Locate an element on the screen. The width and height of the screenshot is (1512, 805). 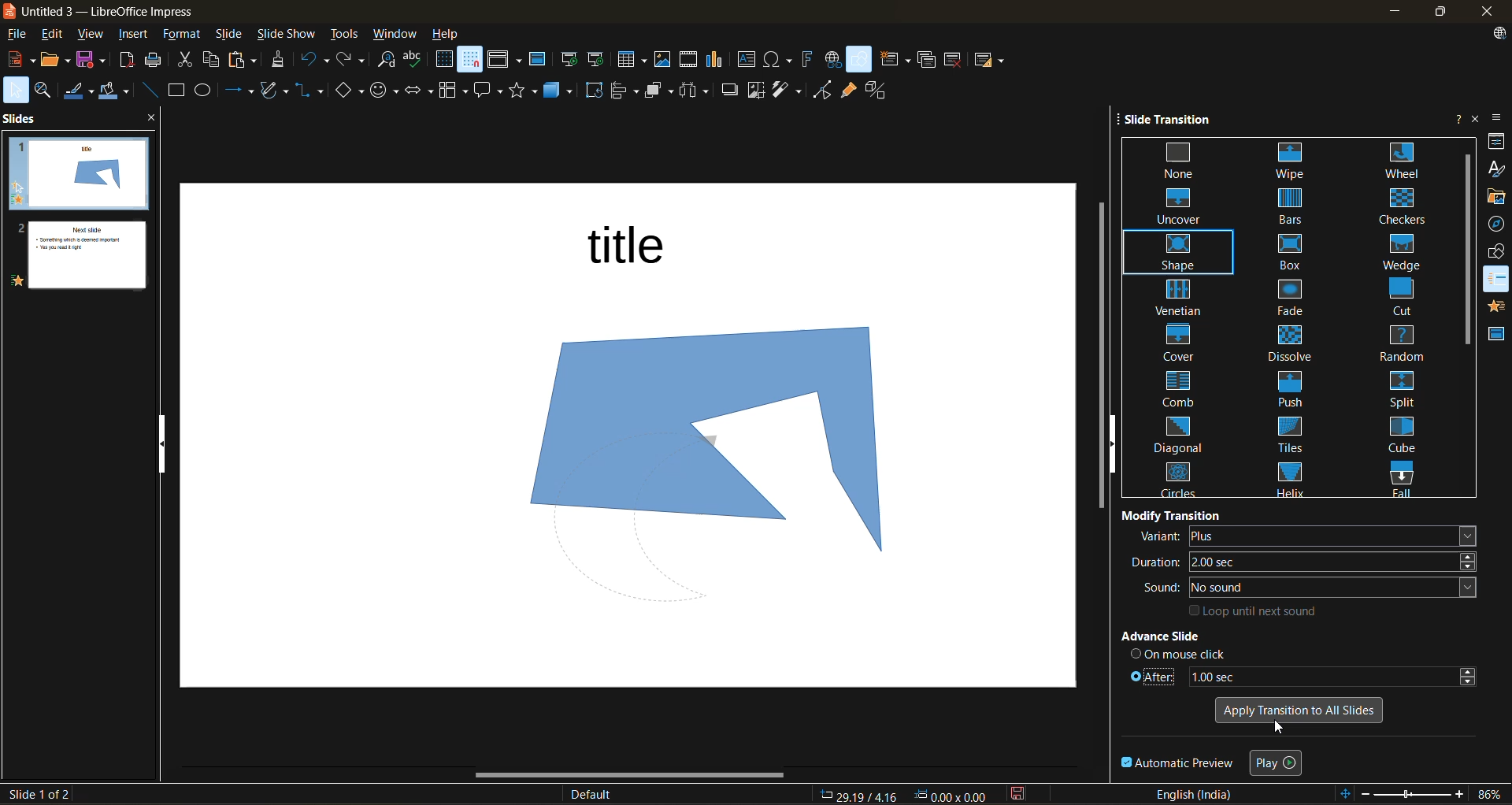
vertical scroll bar is located at coordinates (1465, 250).